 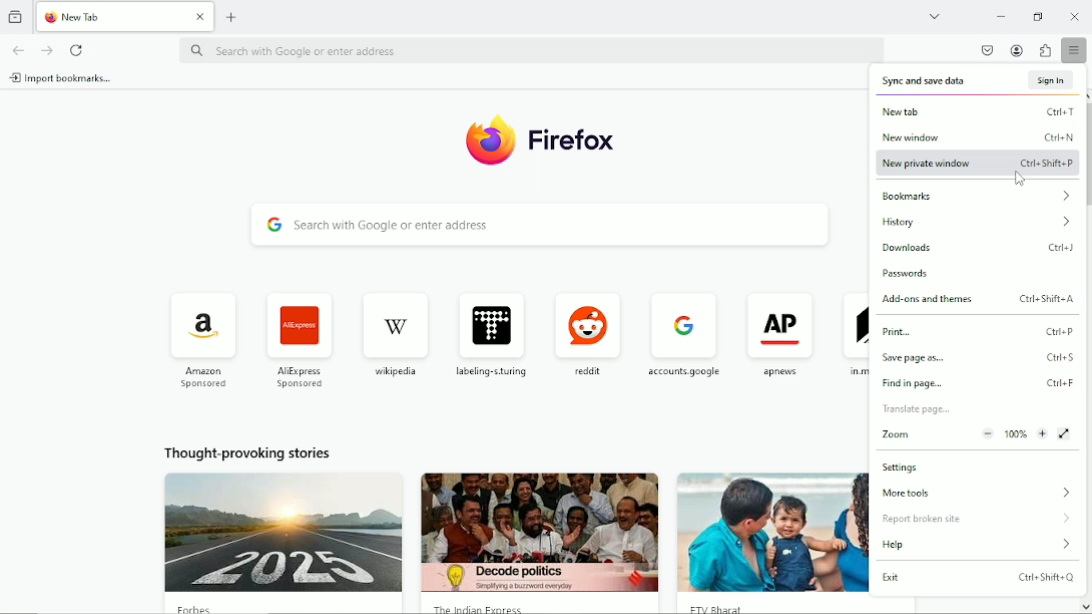 What do you see at coordinates (1075, 15) in the screenshot?
I see `Close` at bounding box center [1075, 15].